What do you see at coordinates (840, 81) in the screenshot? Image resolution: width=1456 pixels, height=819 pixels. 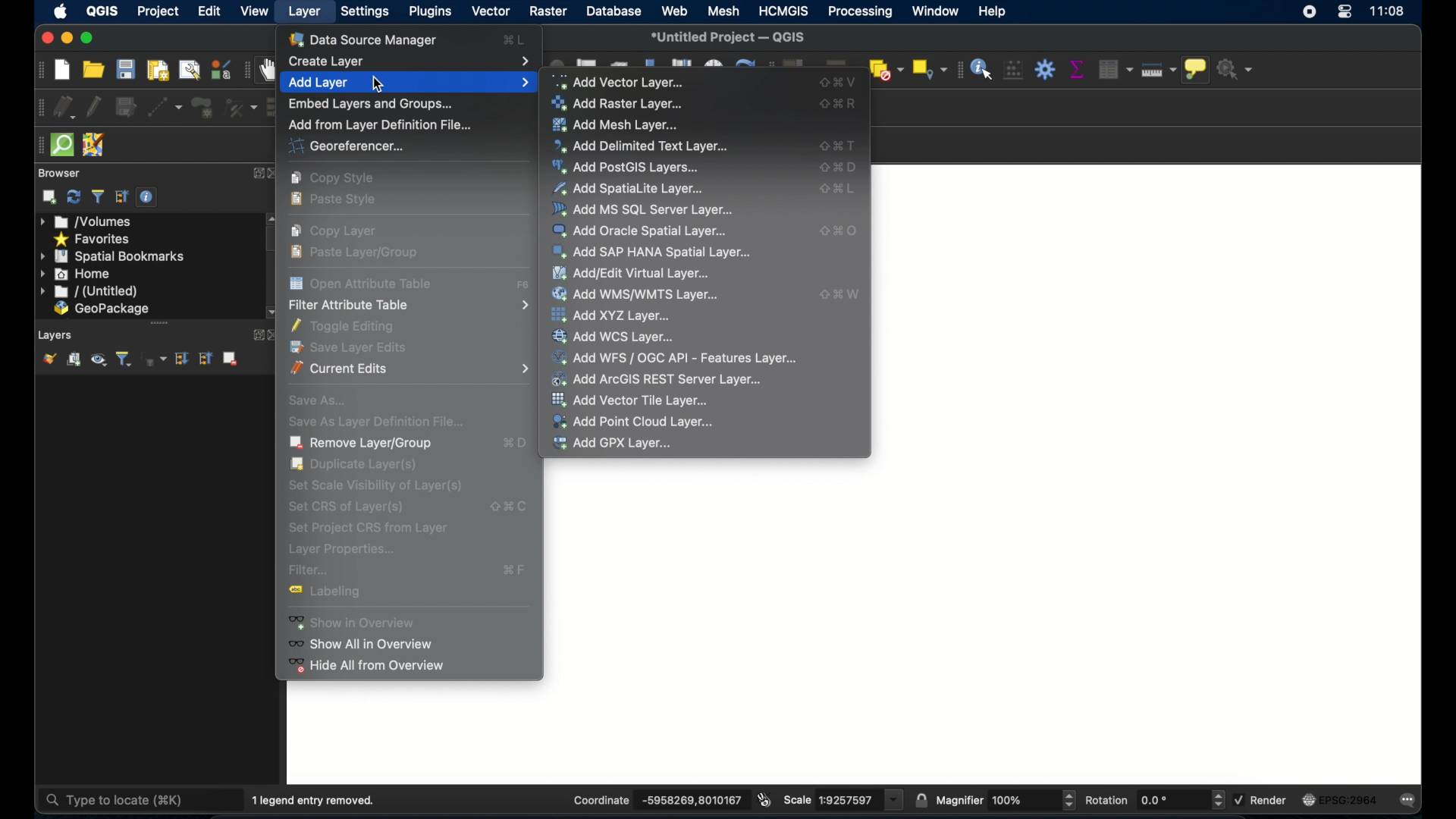 I see `add vector layer` at bounding box center [840, 81].